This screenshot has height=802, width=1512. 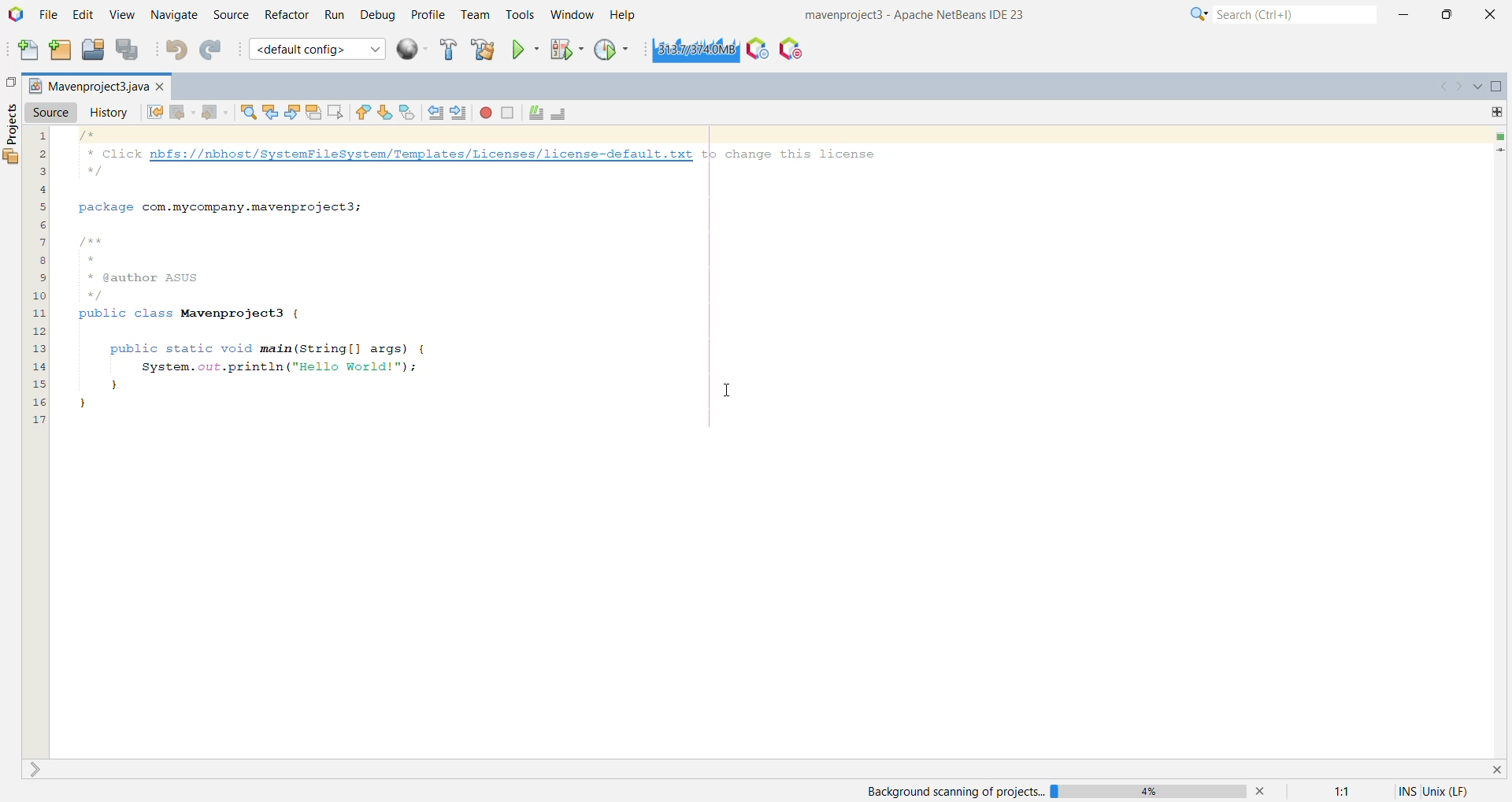 I want to click on Row:Column number of selected line, so click(x=1339, y=793).